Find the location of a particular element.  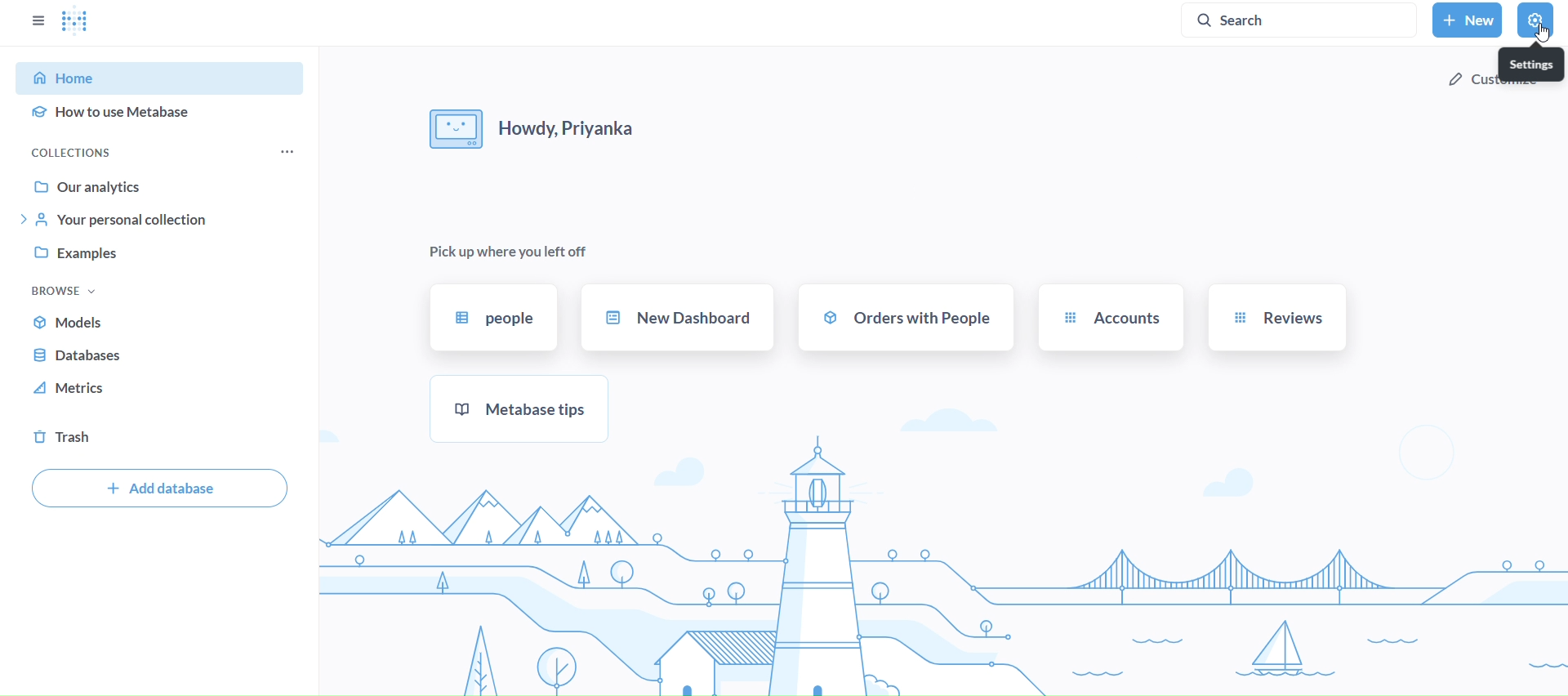

settings is located at coordinates (1535, 19).